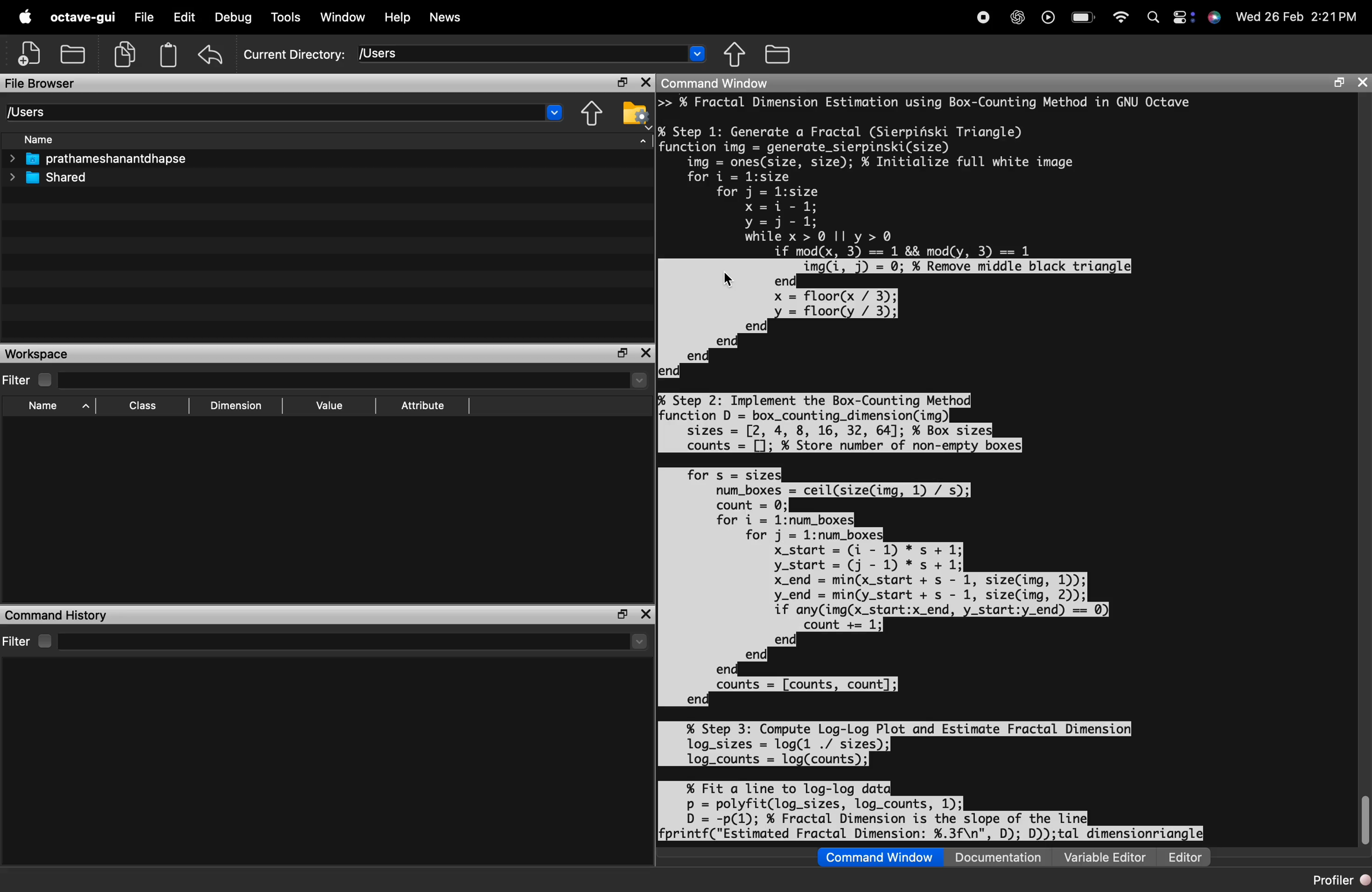  I want to click on storage, so click(169, 56).